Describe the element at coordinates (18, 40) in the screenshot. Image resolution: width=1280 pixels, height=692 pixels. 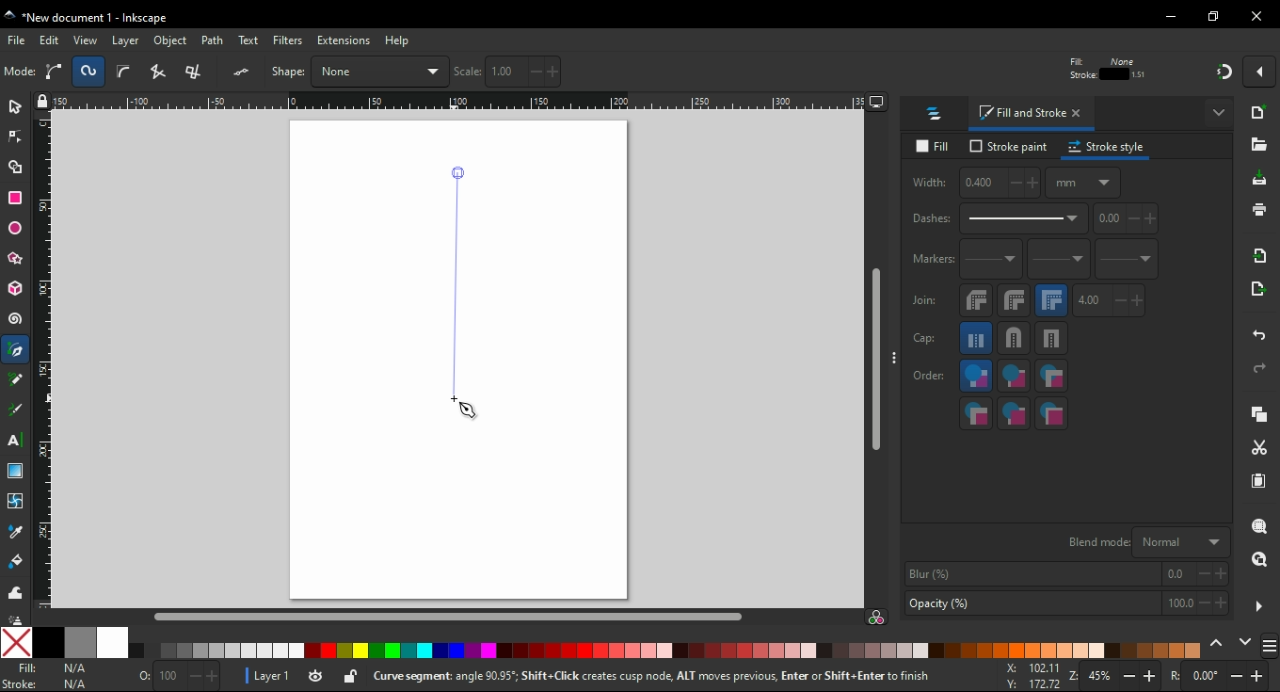
I see `file` at that location.